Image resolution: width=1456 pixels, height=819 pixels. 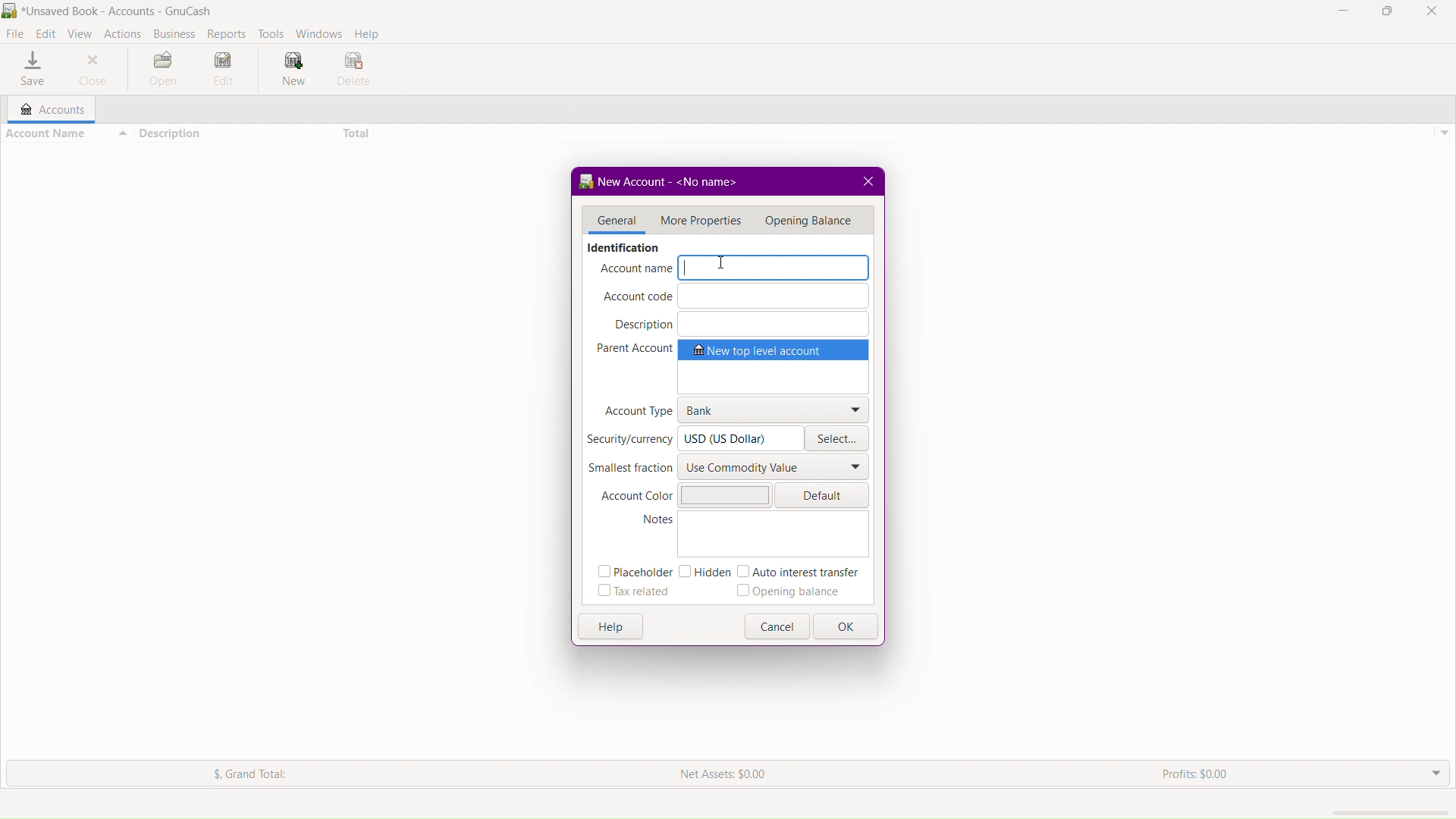 What do you see at coordinates (839, 441) in the screenshot?
I see `Select` at bounding box center [839, 441].